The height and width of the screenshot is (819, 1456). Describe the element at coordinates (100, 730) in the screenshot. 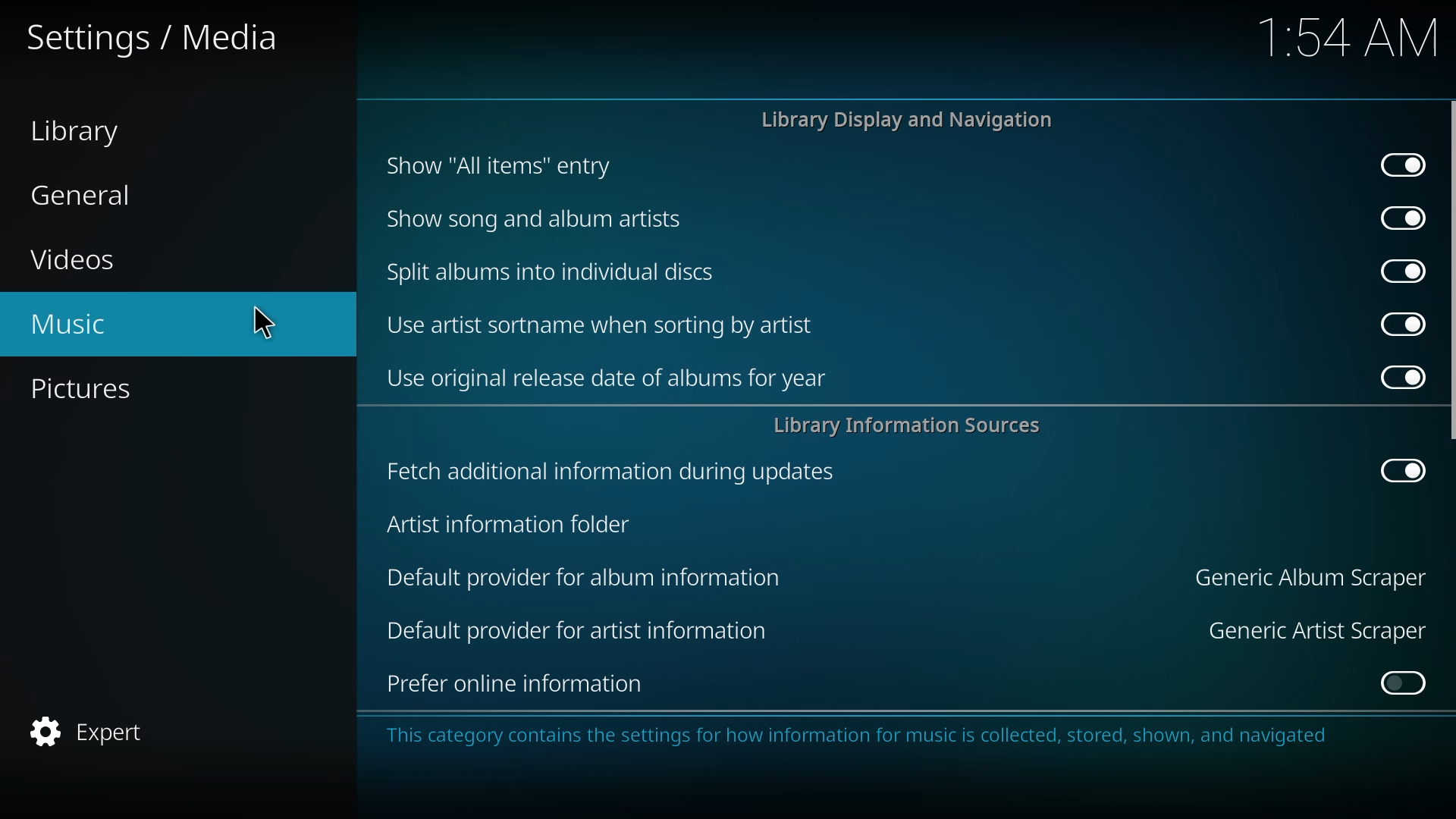

I see `expert` at that location.